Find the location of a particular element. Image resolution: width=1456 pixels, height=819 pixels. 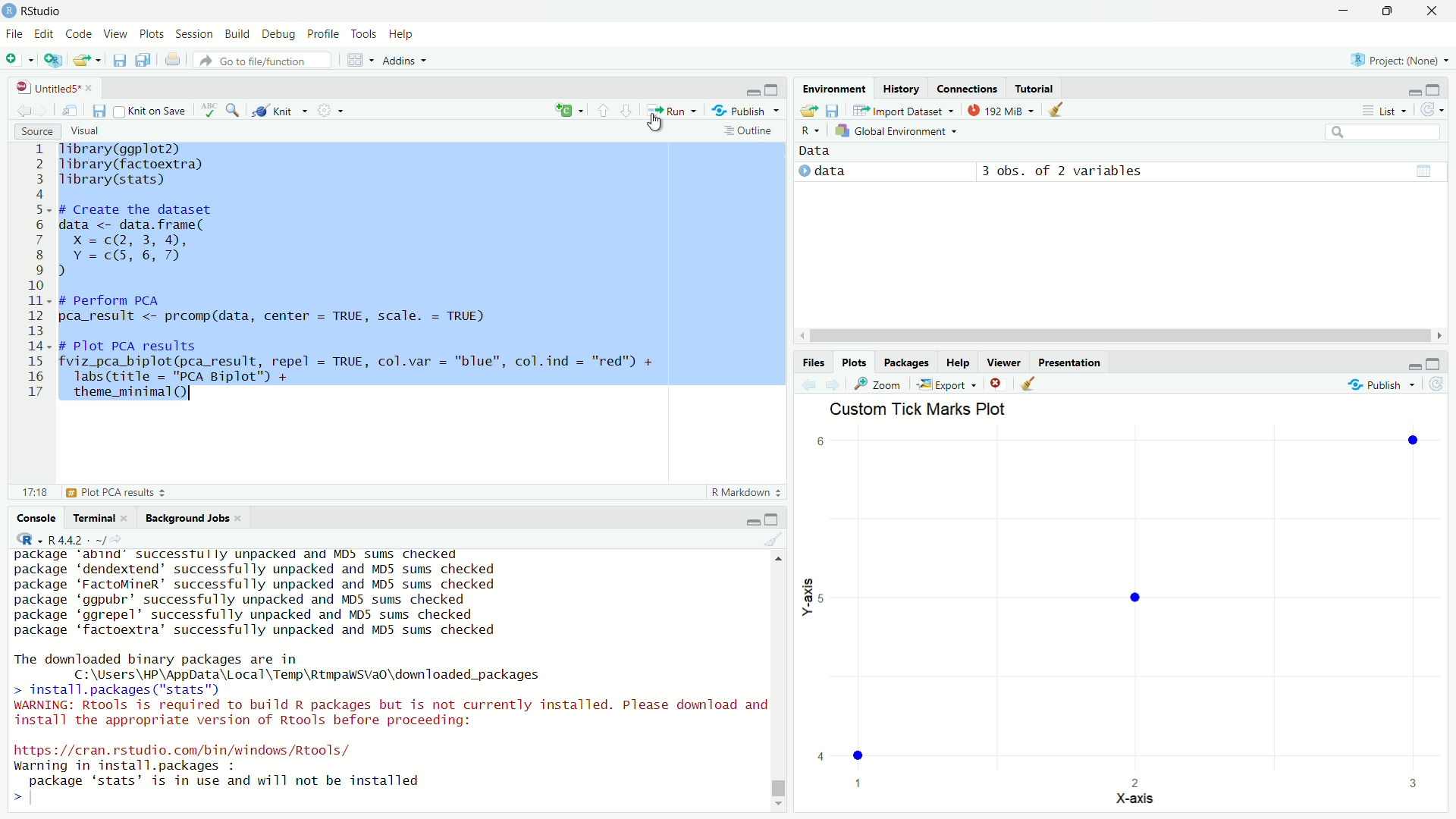

workspace panes is located at coordinates (357, 60).